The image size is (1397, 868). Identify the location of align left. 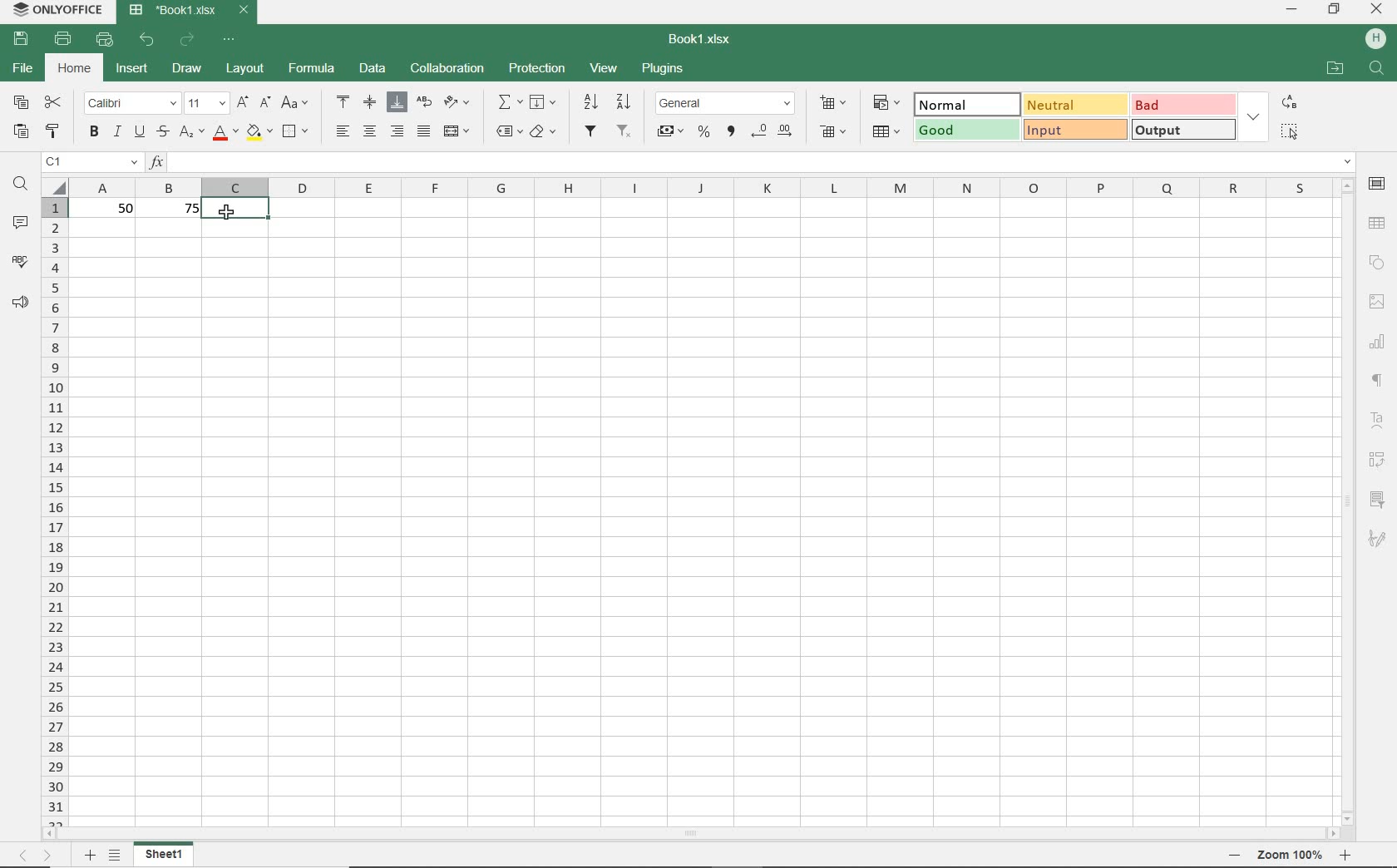
(342, 131).